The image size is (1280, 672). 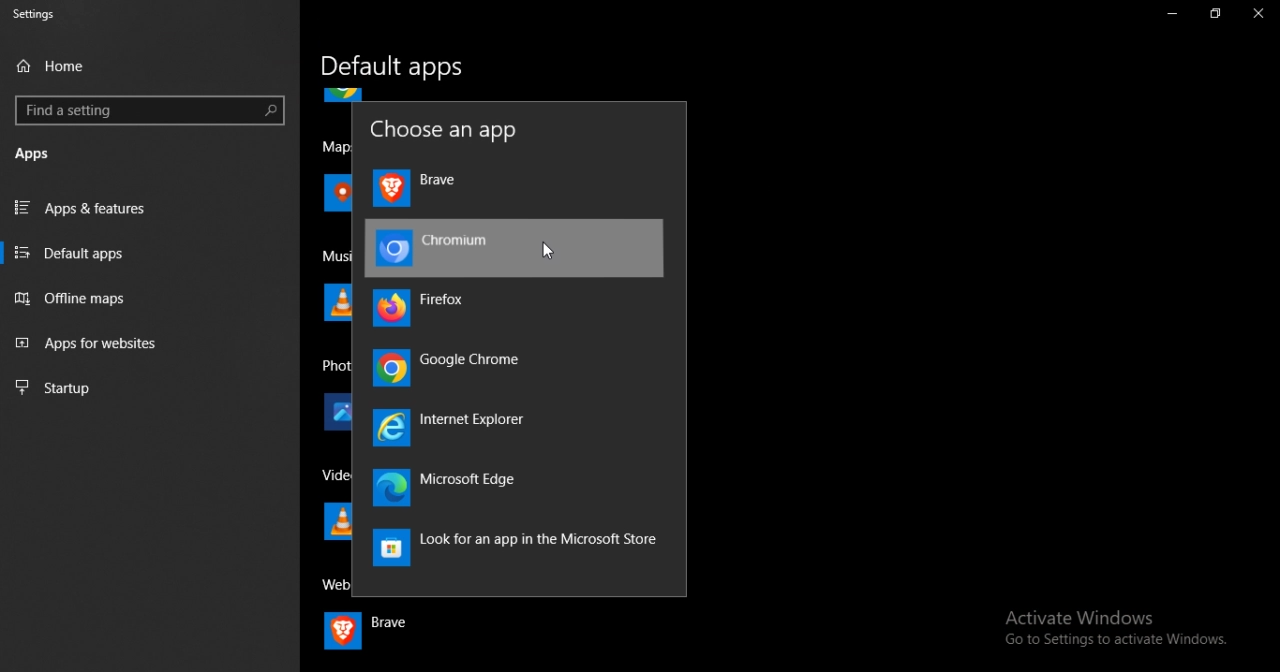 I want to click on home, so click(x=58, y=65).